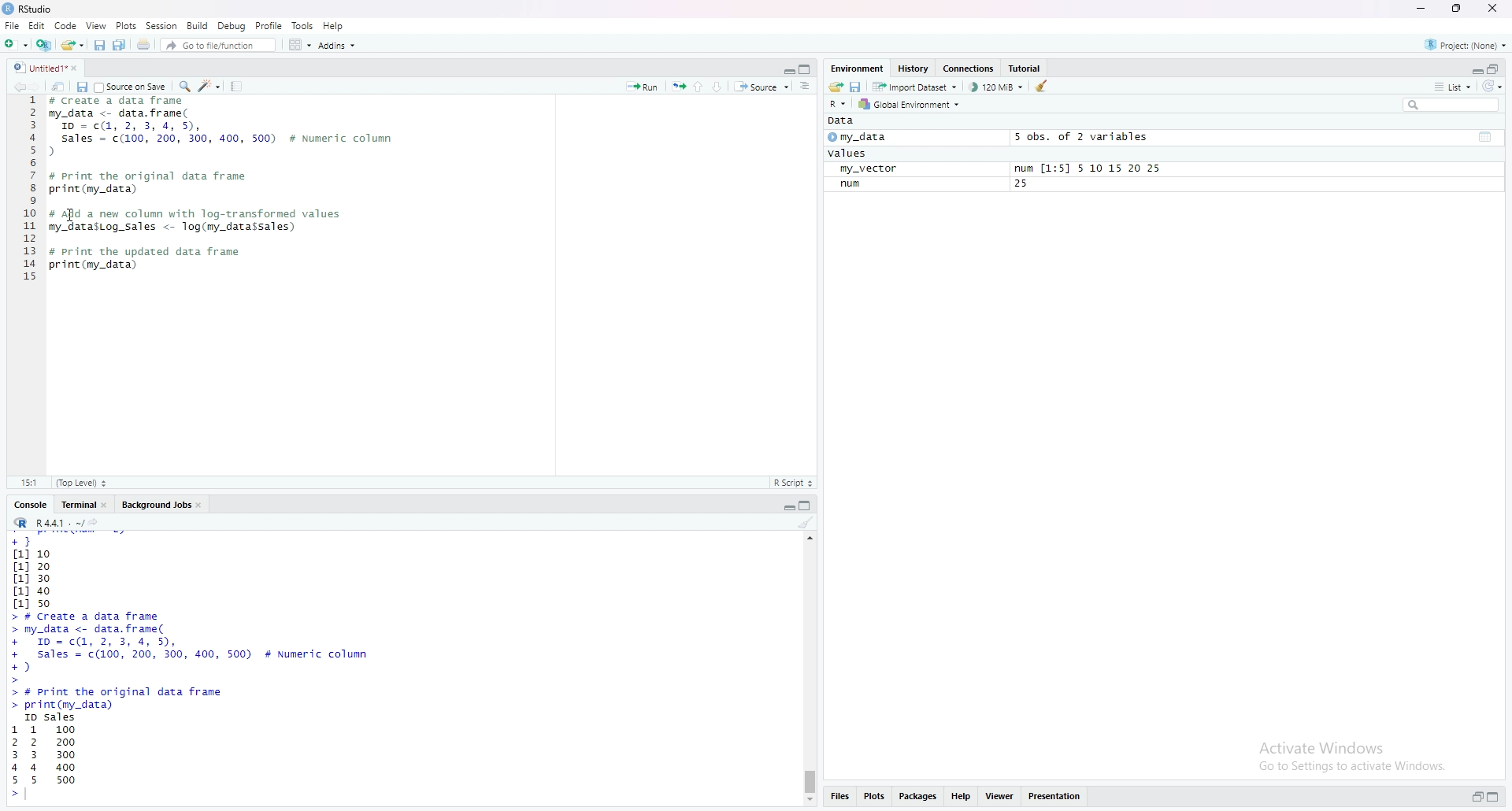 Image resolution: width=1512 pixels, height=811 pixels. Describe the element at coordinates (203, 218) in the screenshot. I see `code to add new column` at that location.